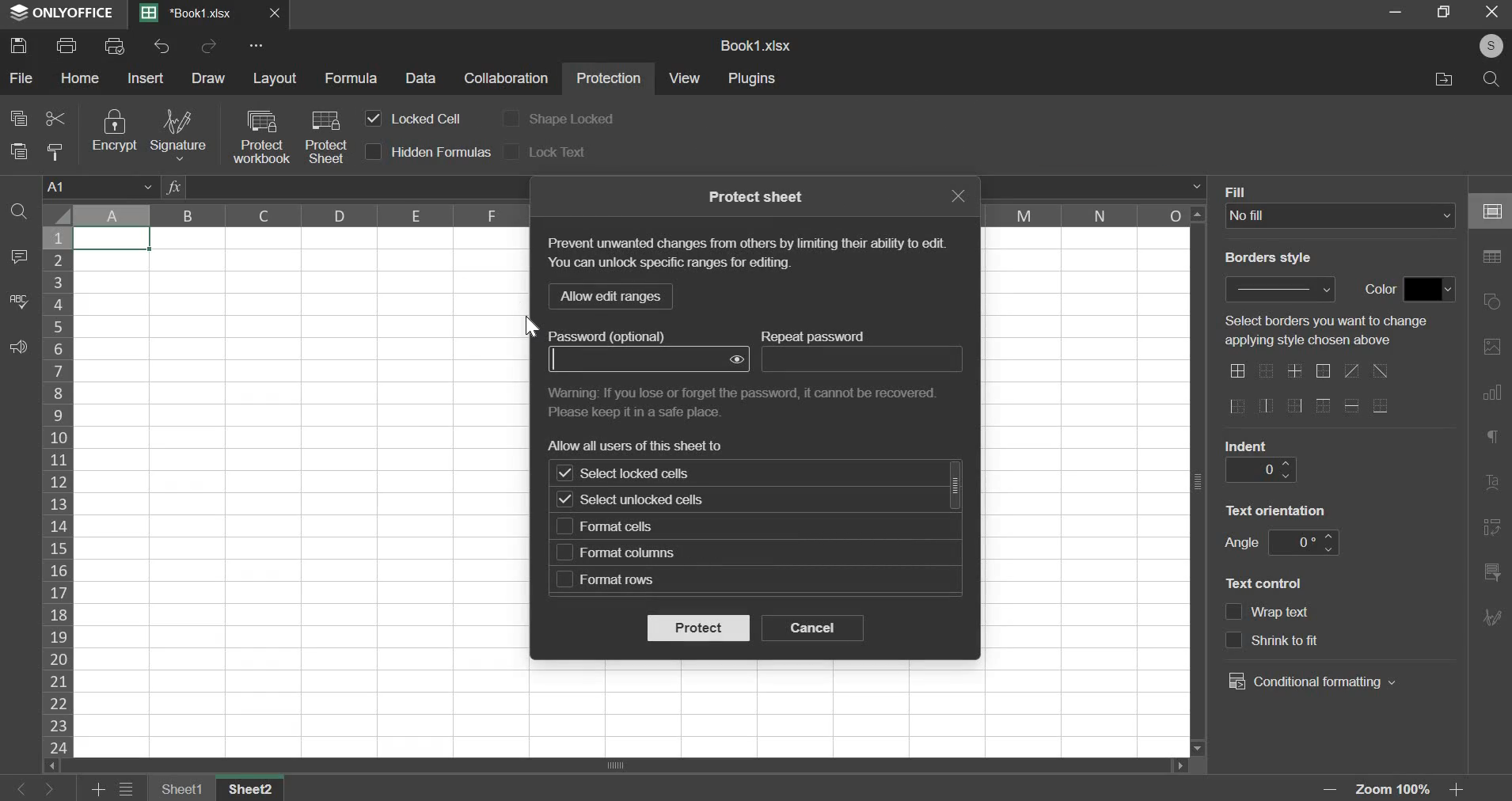 This screenshot has height=801, width=1512. I want to click on protect, so click(697, 628).